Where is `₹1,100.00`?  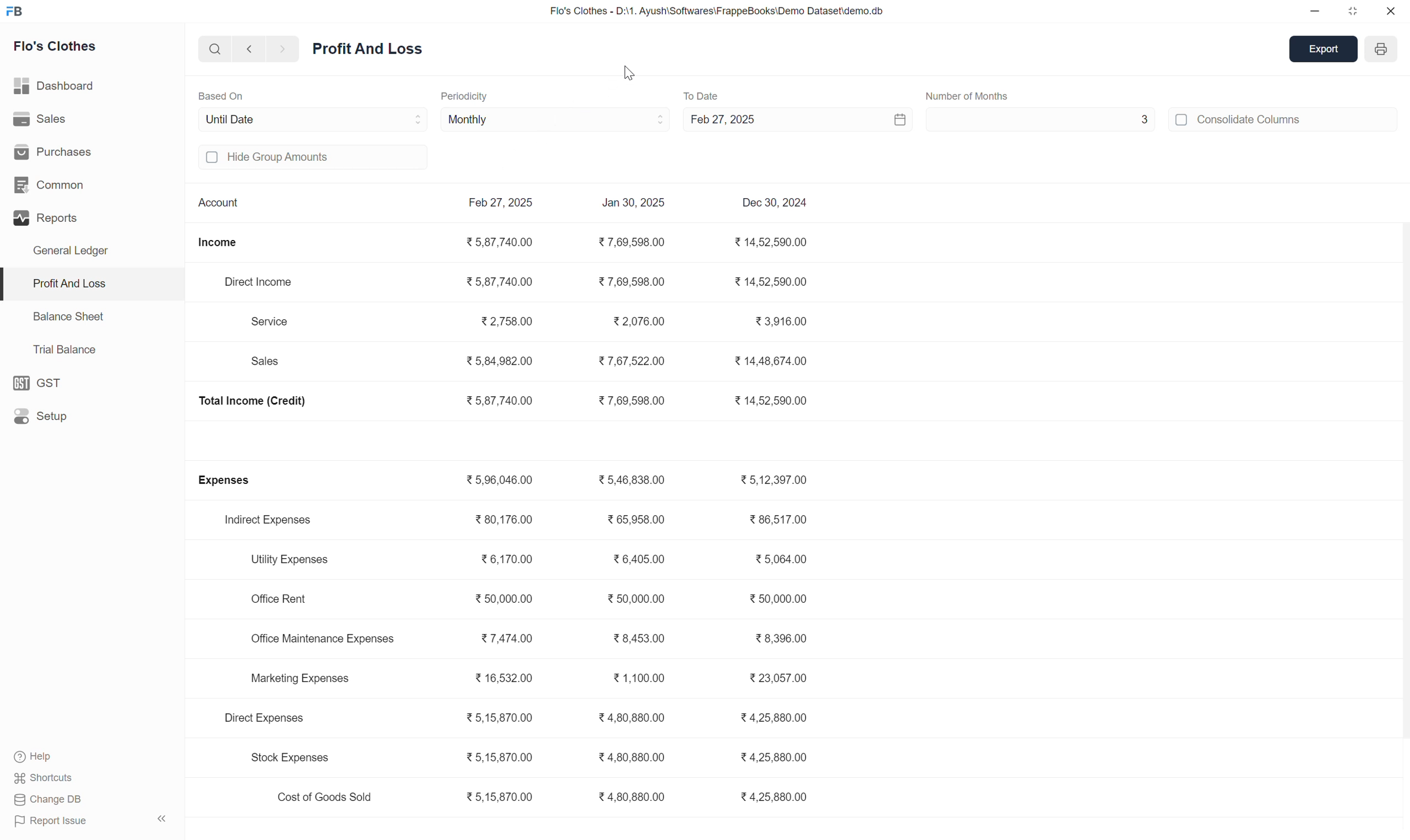 ₹1,100.00 is located at coordinates (639, 676).